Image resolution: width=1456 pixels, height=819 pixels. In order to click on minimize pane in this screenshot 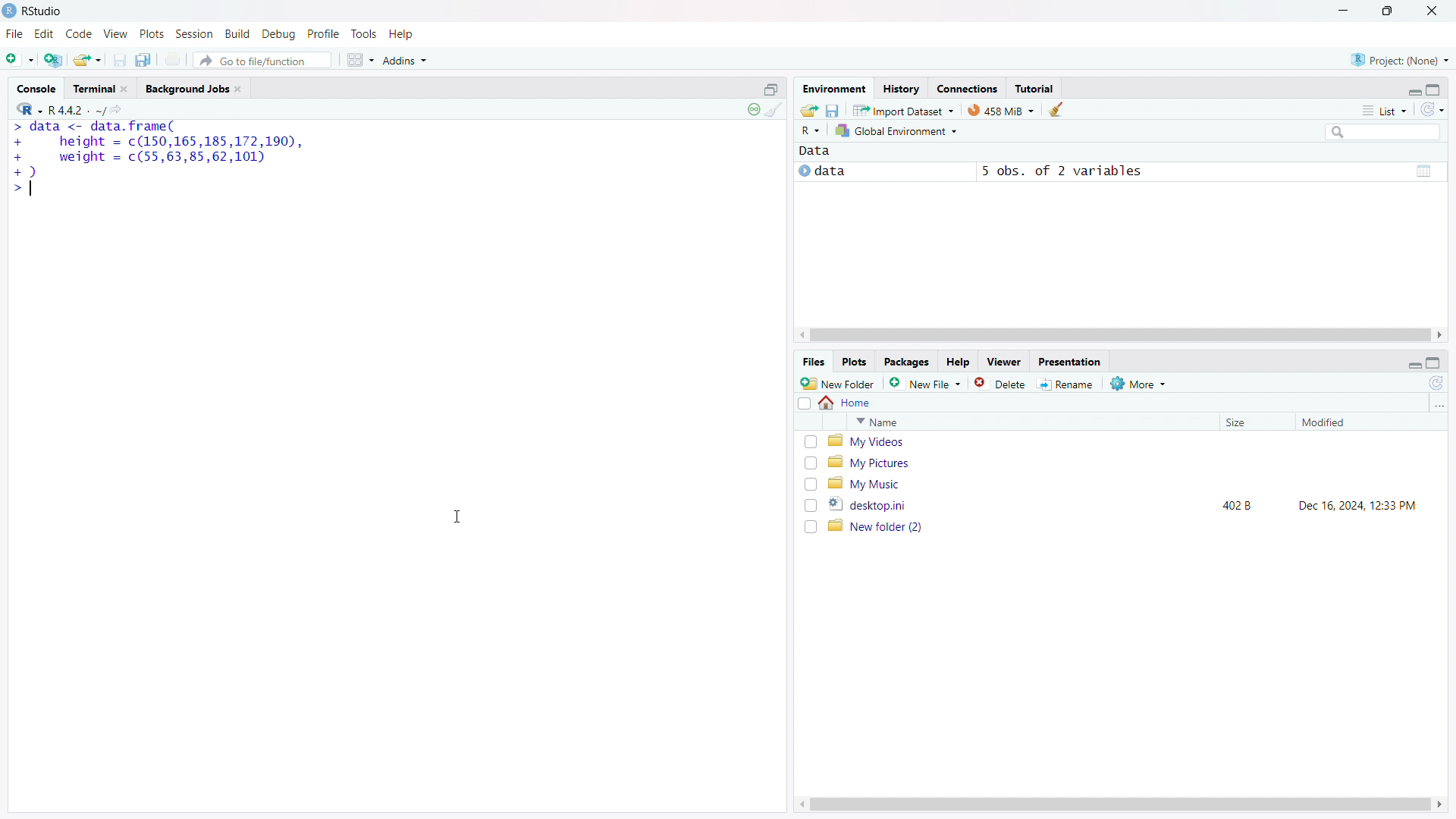, I will do `click(1414, 89)`.